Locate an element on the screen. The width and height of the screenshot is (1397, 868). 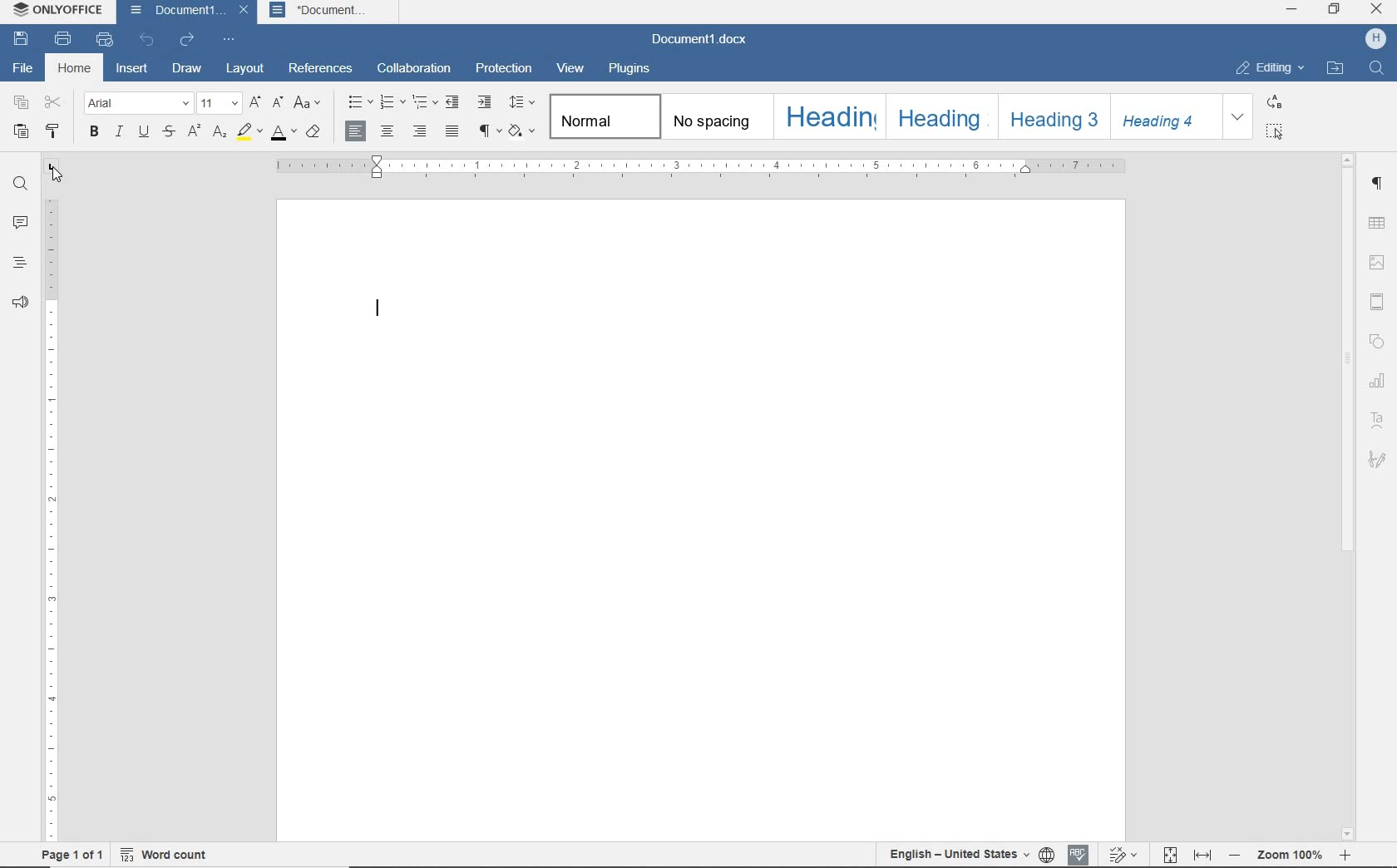
FONT is located at coordinates (138, 104).